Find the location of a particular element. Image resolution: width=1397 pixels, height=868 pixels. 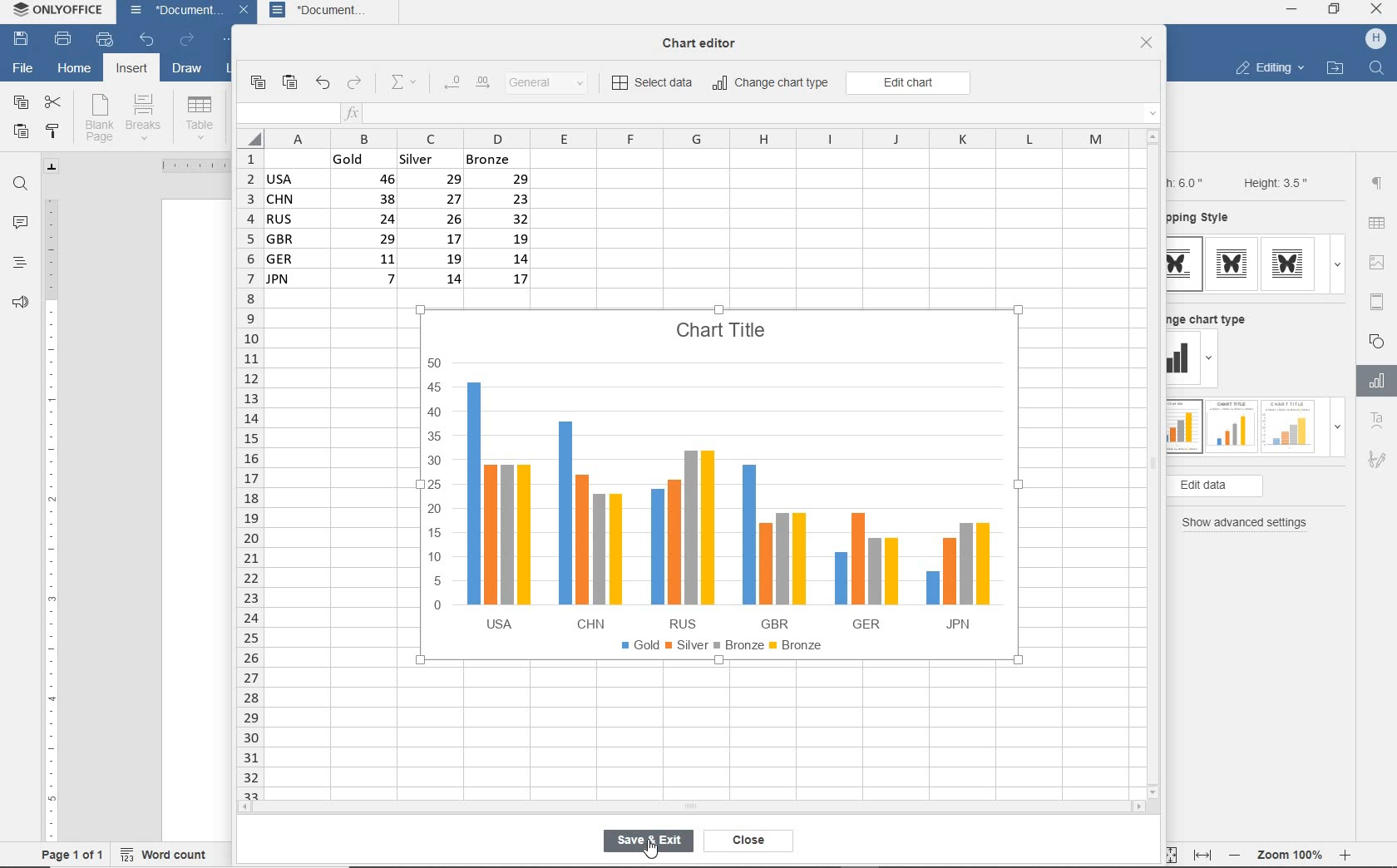

document name is located at coordinates (171, 12).